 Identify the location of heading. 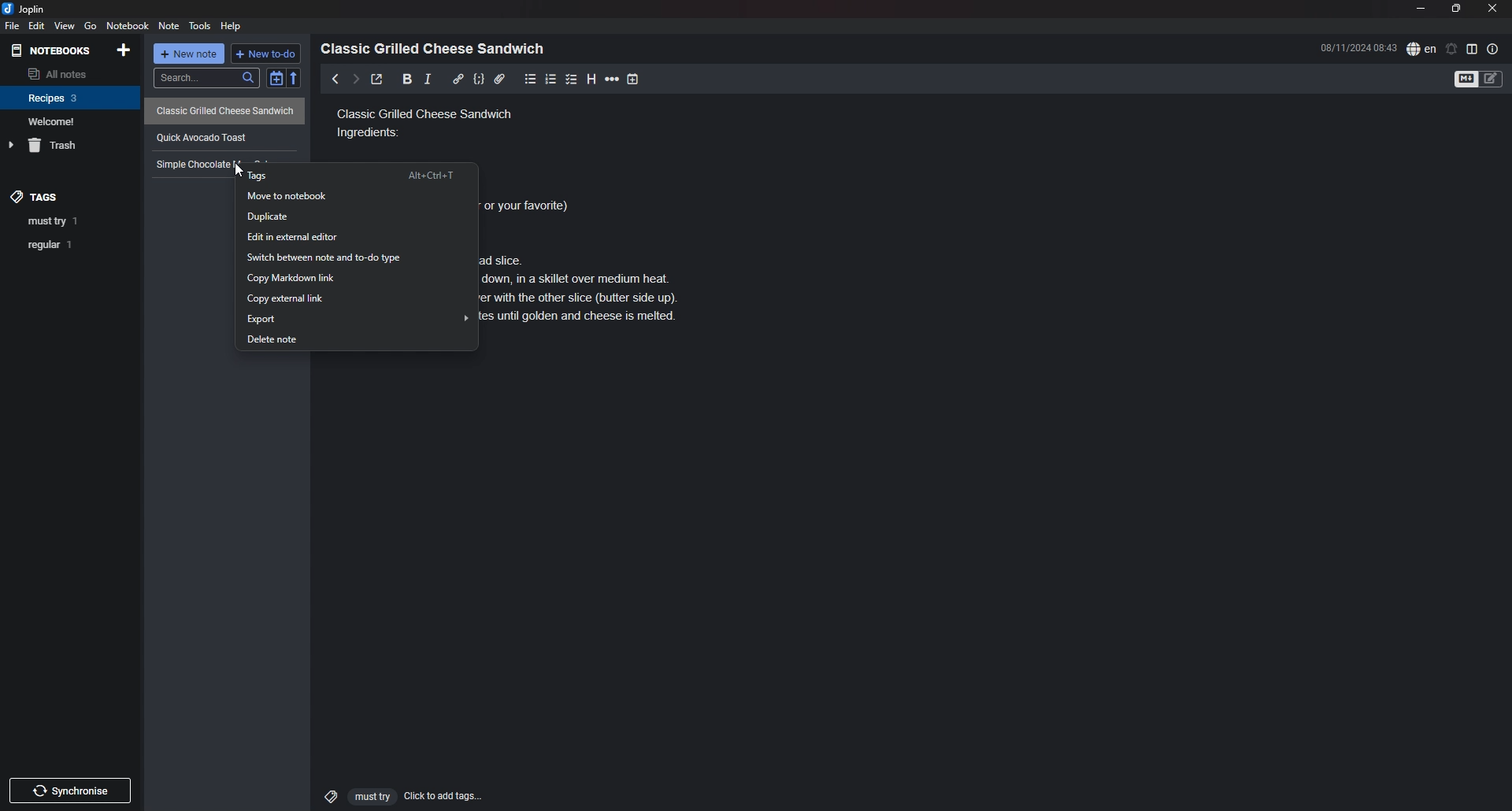
(591, 79).